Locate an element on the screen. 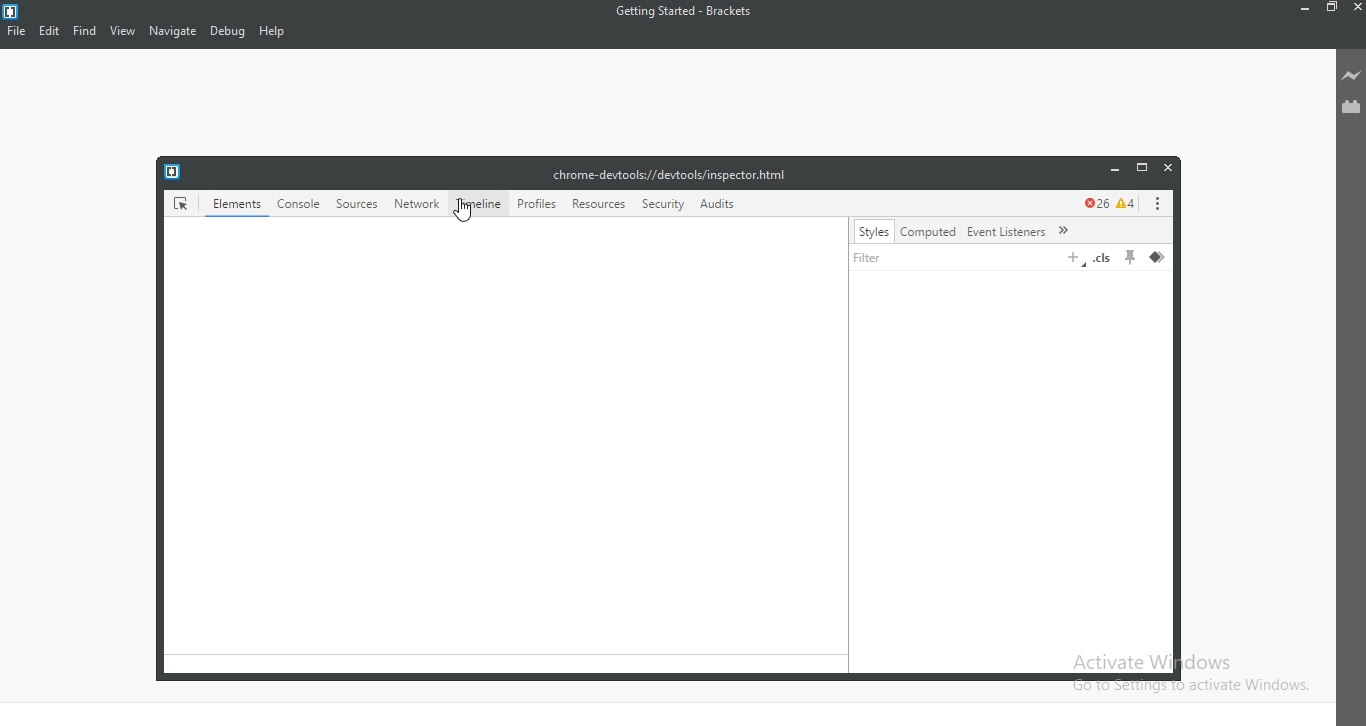 The image size is (1366, 726). Audit is located at coordinates (725, 203).